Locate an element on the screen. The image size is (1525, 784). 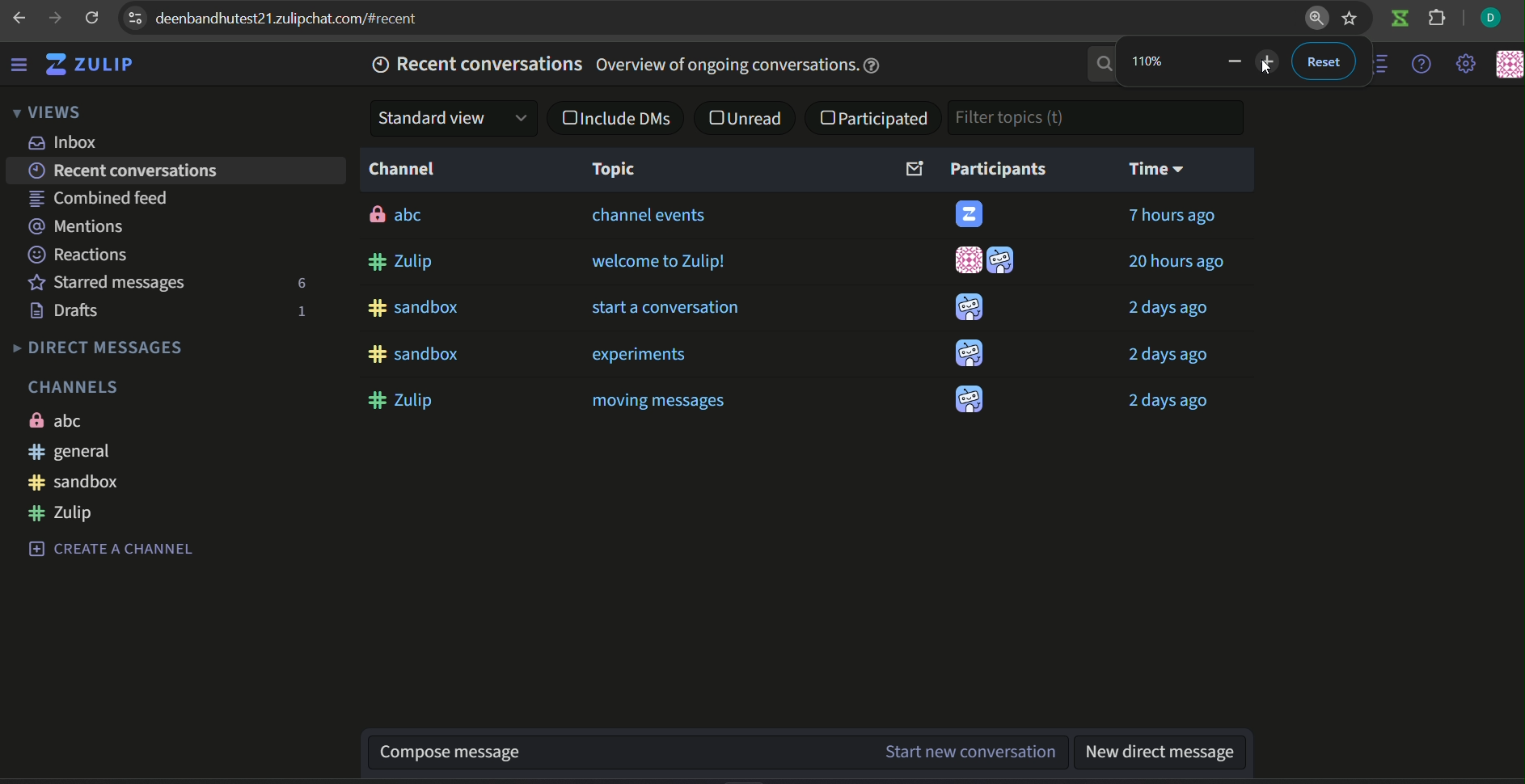
icon is located at coordinates (969, 306).